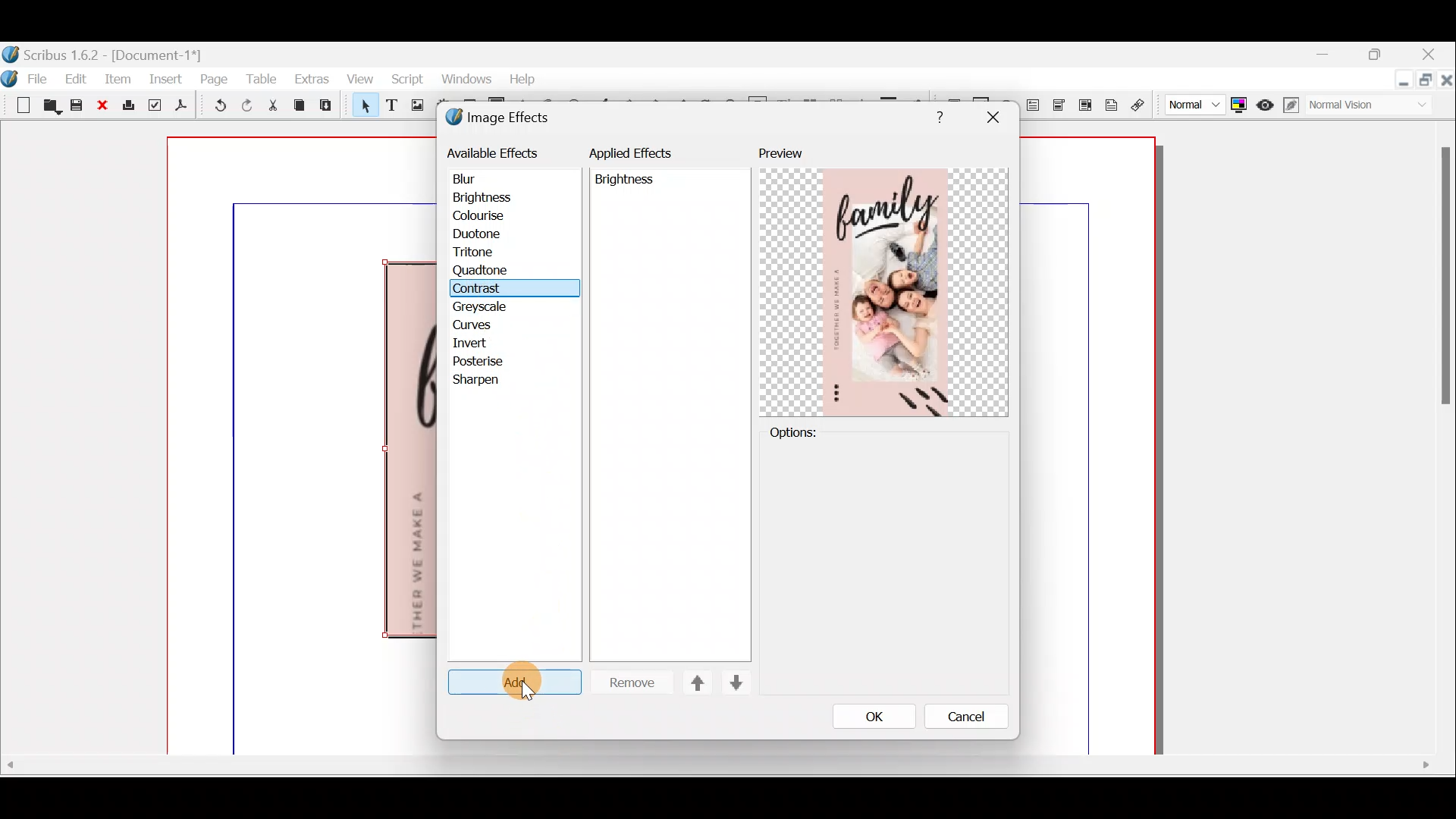  What do you see at coordinates (246, 105) in the screenshot?
I see `Redo` at bounding box center [246, 105].